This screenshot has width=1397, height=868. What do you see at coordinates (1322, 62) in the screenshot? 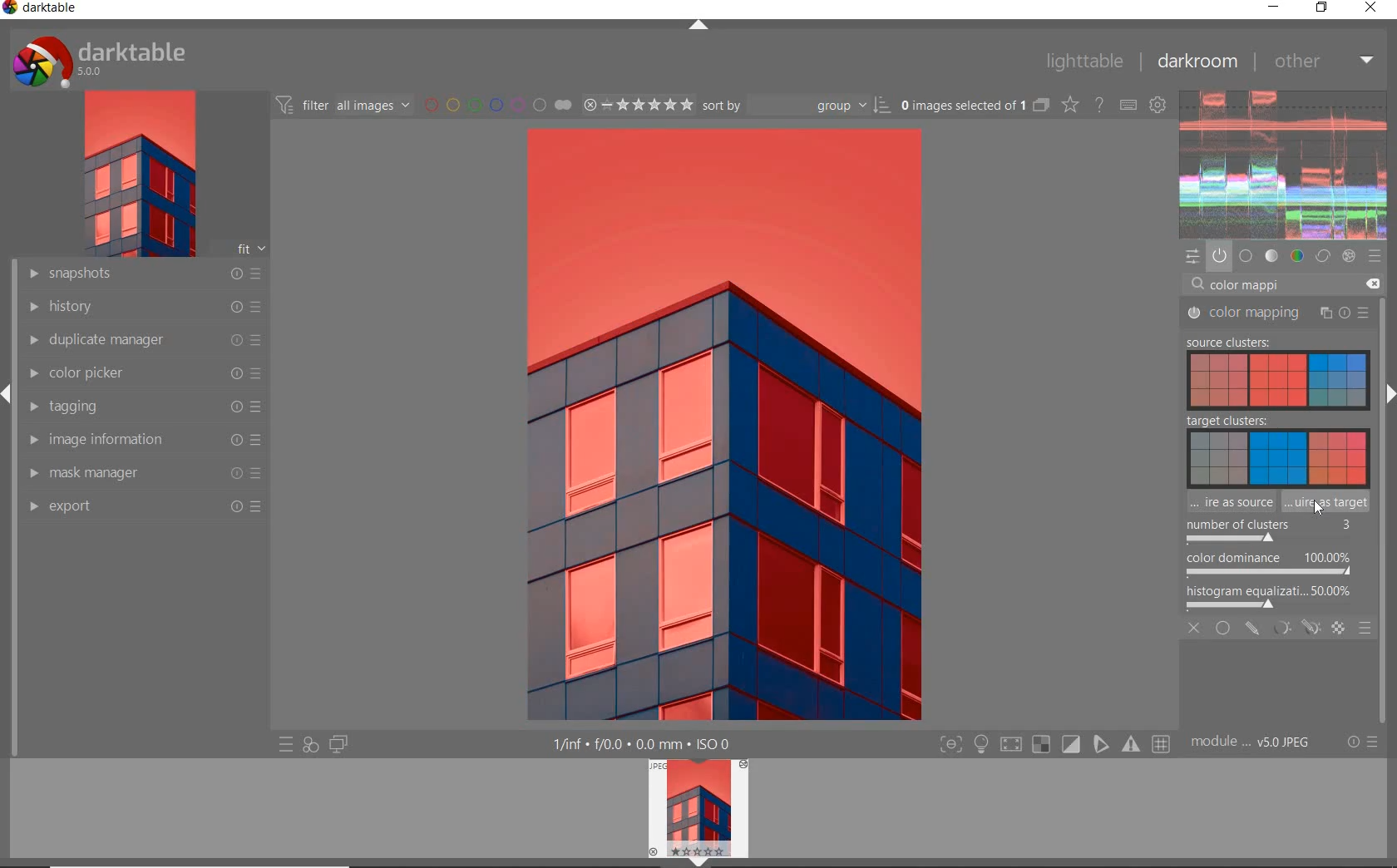
I see `other` at bounding box center [1322, 62].